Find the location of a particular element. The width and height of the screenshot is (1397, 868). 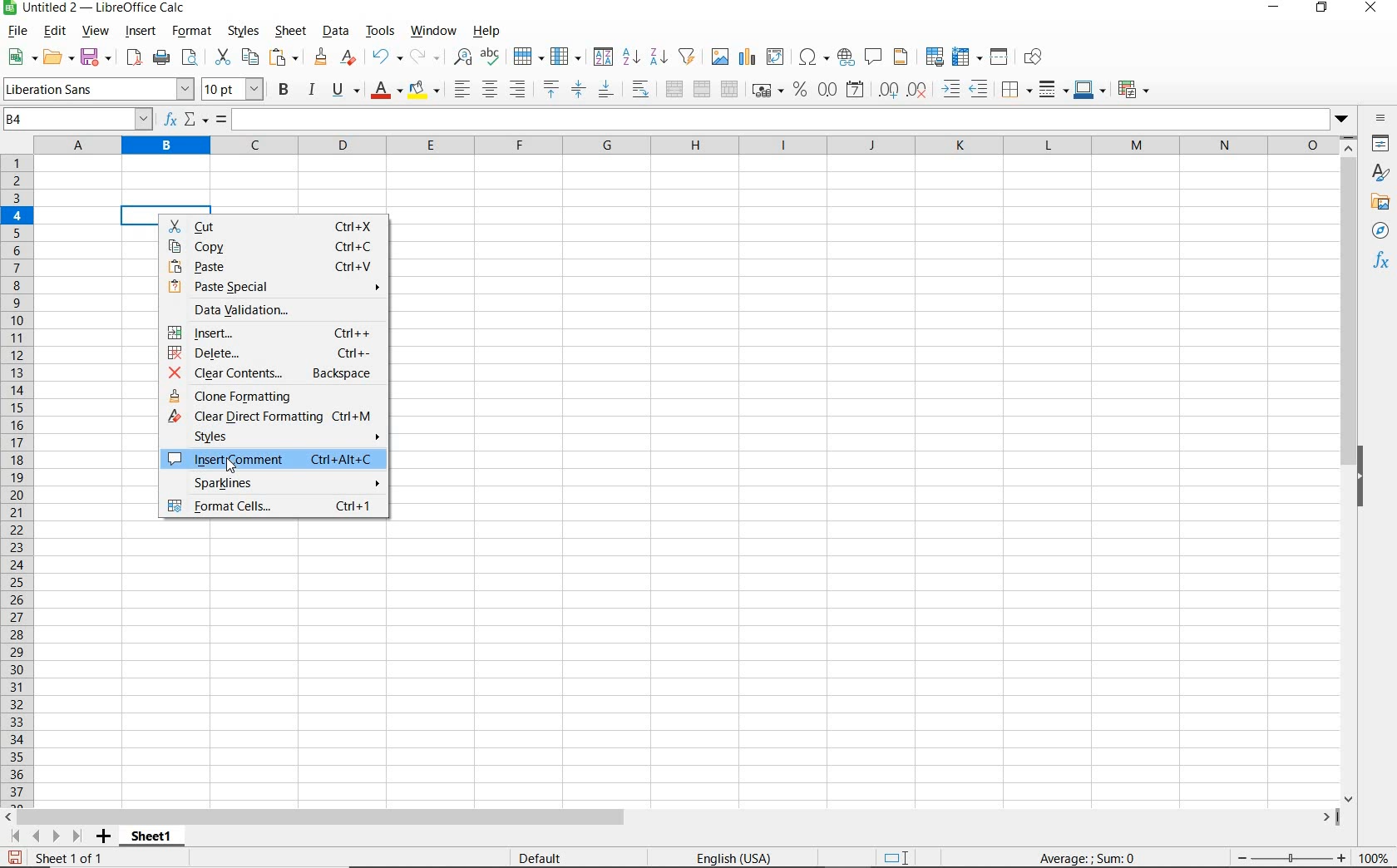

data validation is located at coordinates (269, 311).